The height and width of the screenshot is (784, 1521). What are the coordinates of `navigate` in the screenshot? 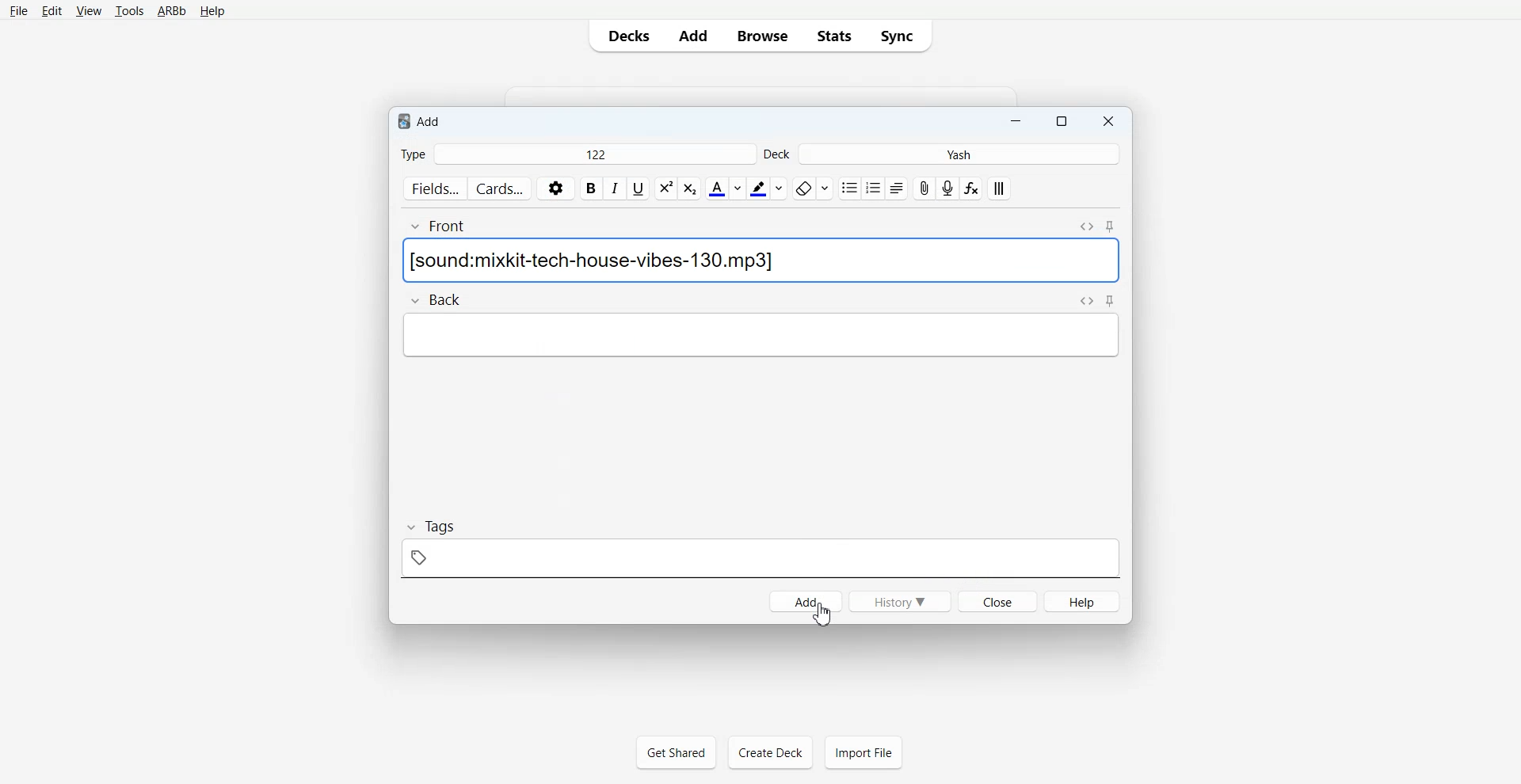 It's located at (1107, 299).